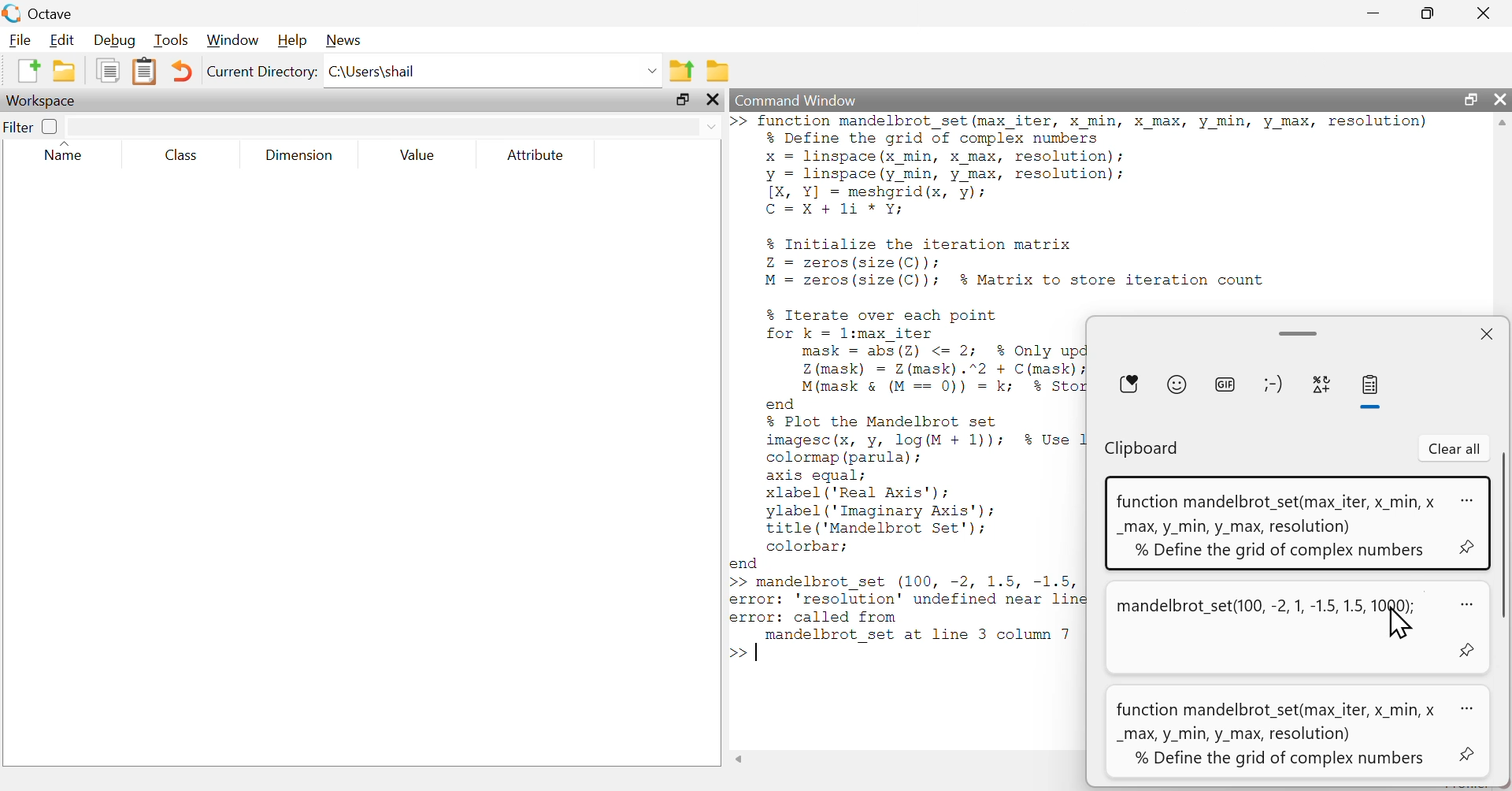 The height and width of the screenshot is (791, 1512). I want to click on minimize, so click(1372, 11).